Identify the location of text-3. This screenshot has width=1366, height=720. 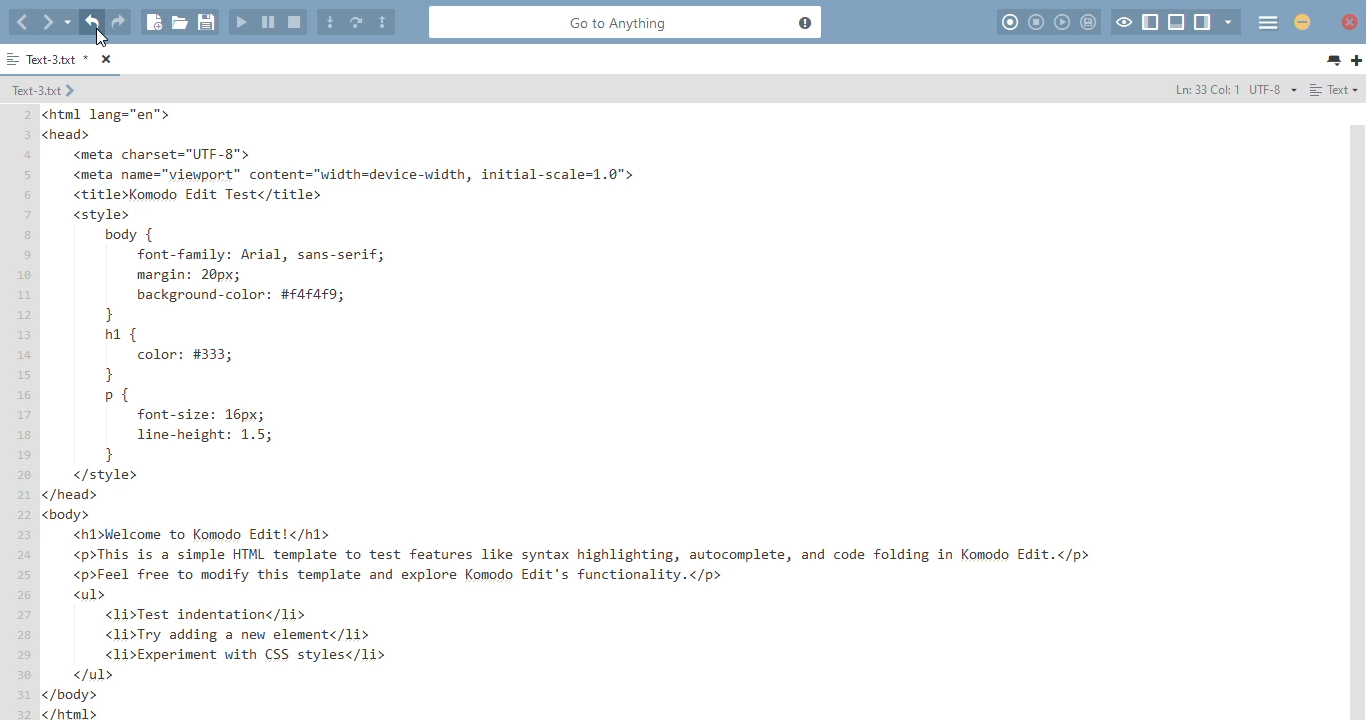
(44, 90).